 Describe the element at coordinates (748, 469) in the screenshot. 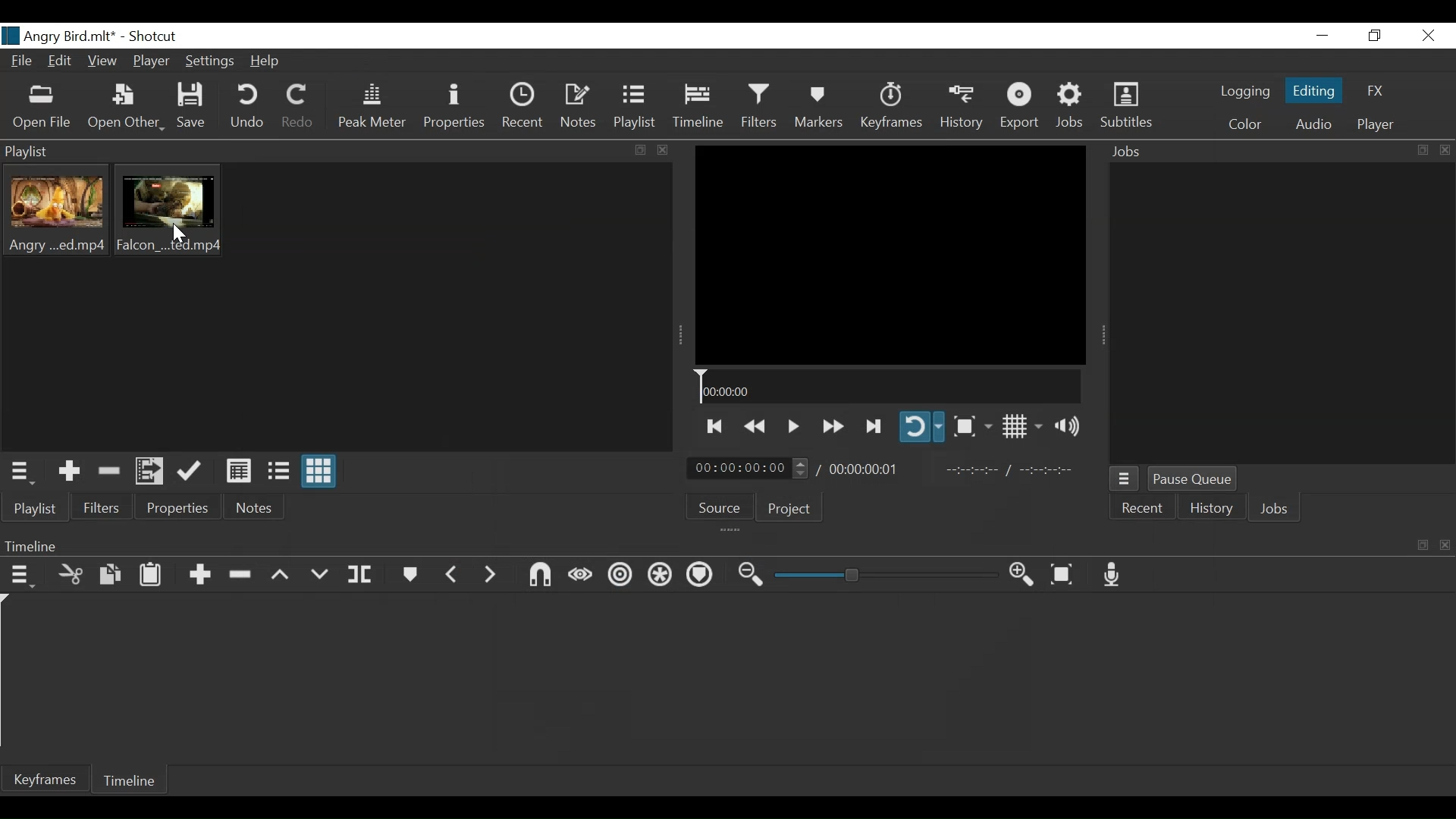

I see `Current duration` at that location.